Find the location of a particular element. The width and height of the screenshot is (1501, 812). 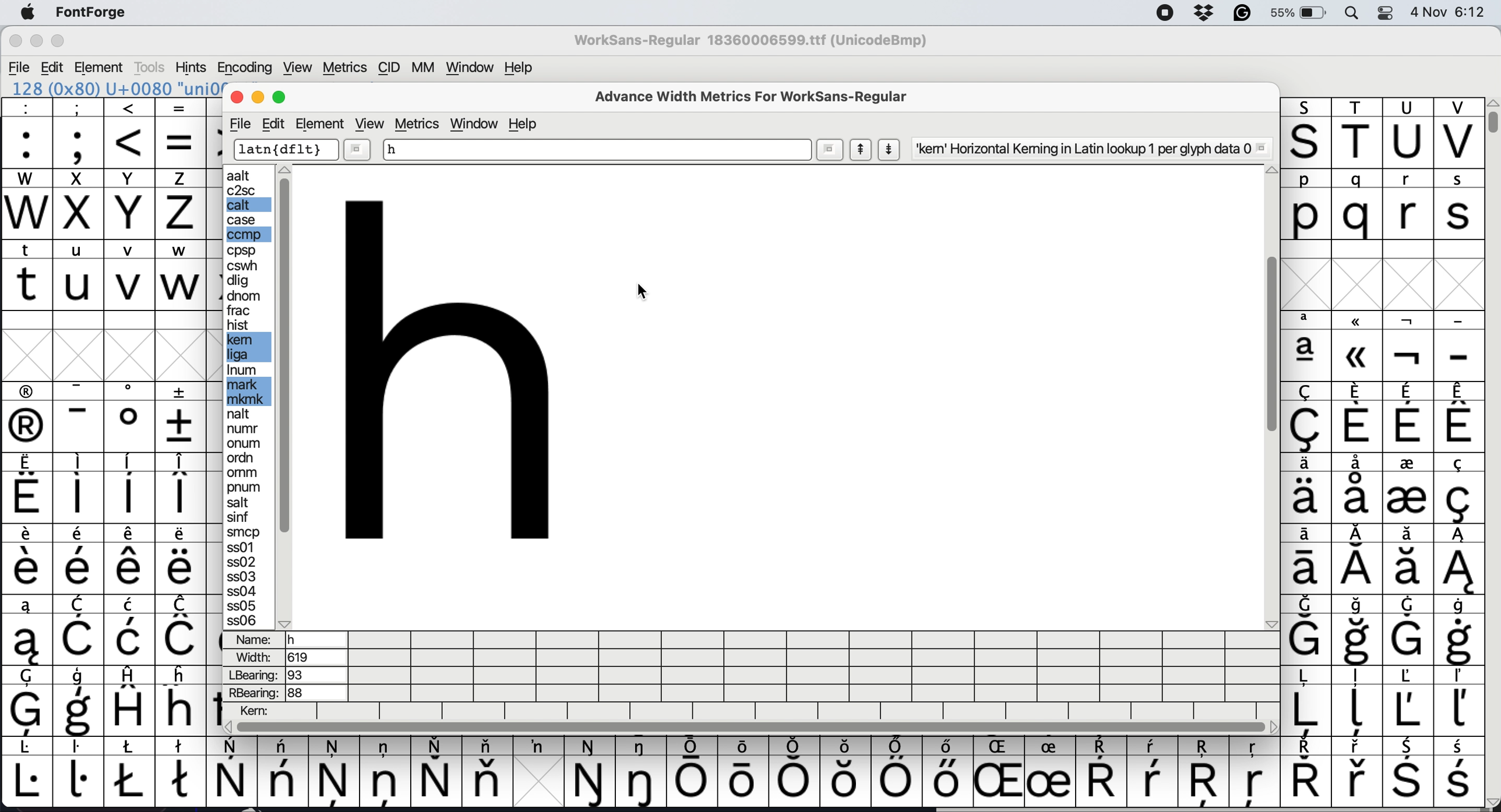

show previous letter is located at coordinates (860, 149).